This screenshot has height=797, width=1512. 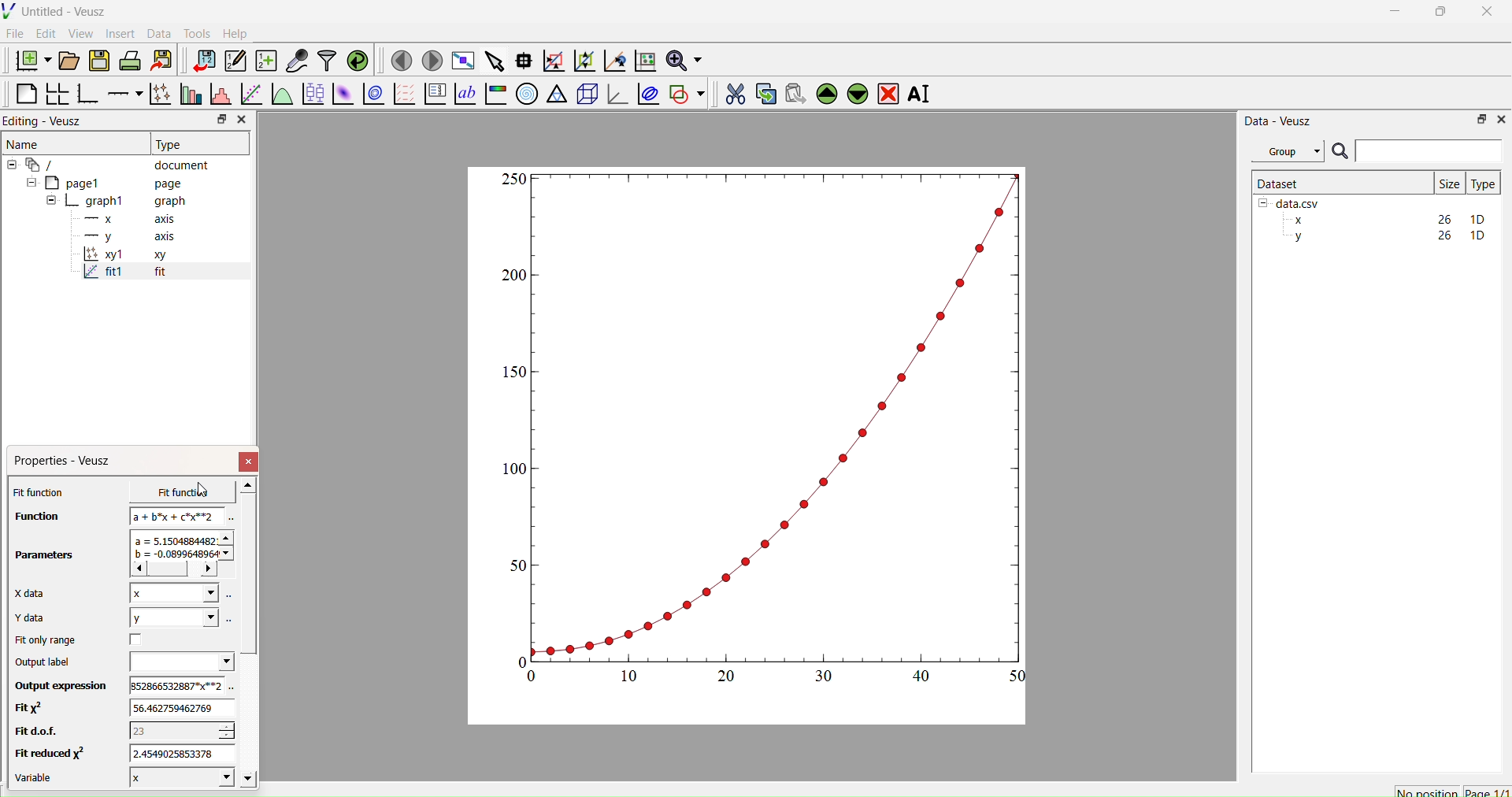 I want to click on Plot a 2d dataset as contours, so click(x=372, y=95).